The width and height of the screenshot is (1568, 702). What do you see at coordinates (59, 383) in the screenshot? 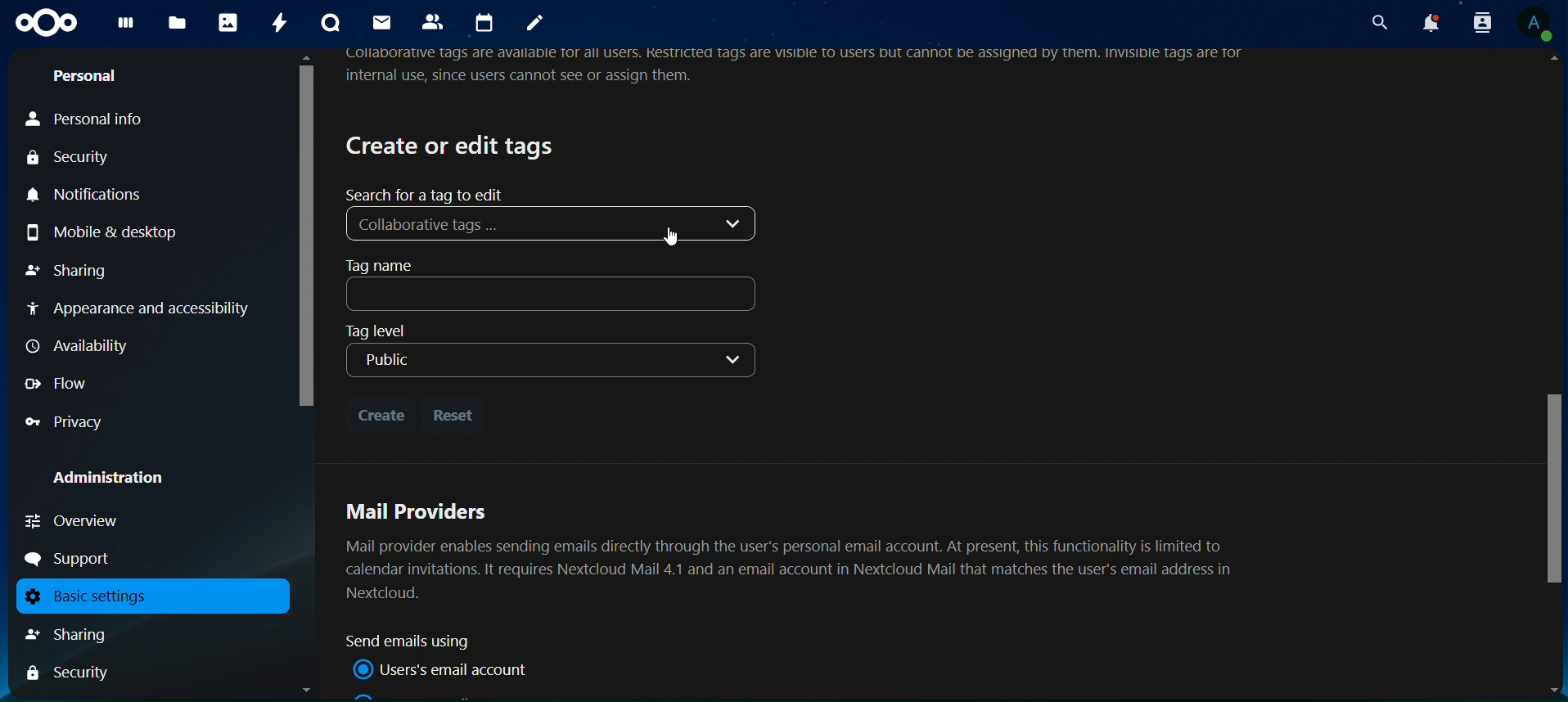
I see `flow` at bounding box center [59, 383].